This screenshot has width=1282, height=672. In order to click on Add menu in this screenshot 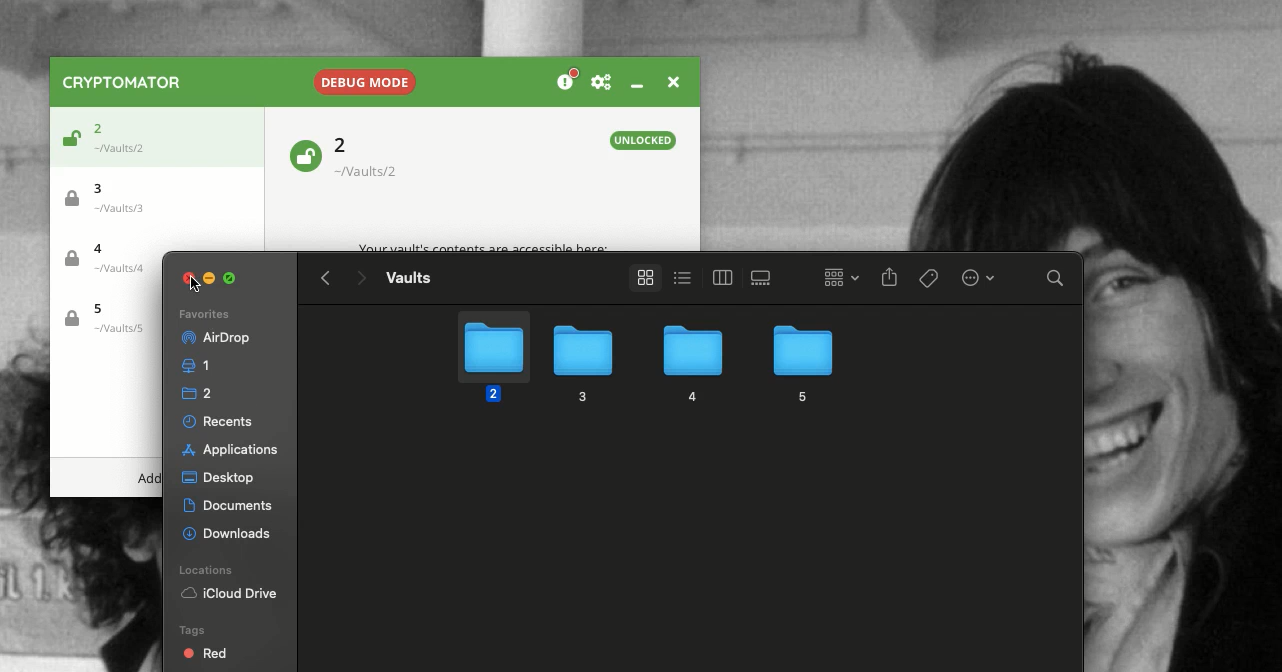, I will do `click(149, 479)`.